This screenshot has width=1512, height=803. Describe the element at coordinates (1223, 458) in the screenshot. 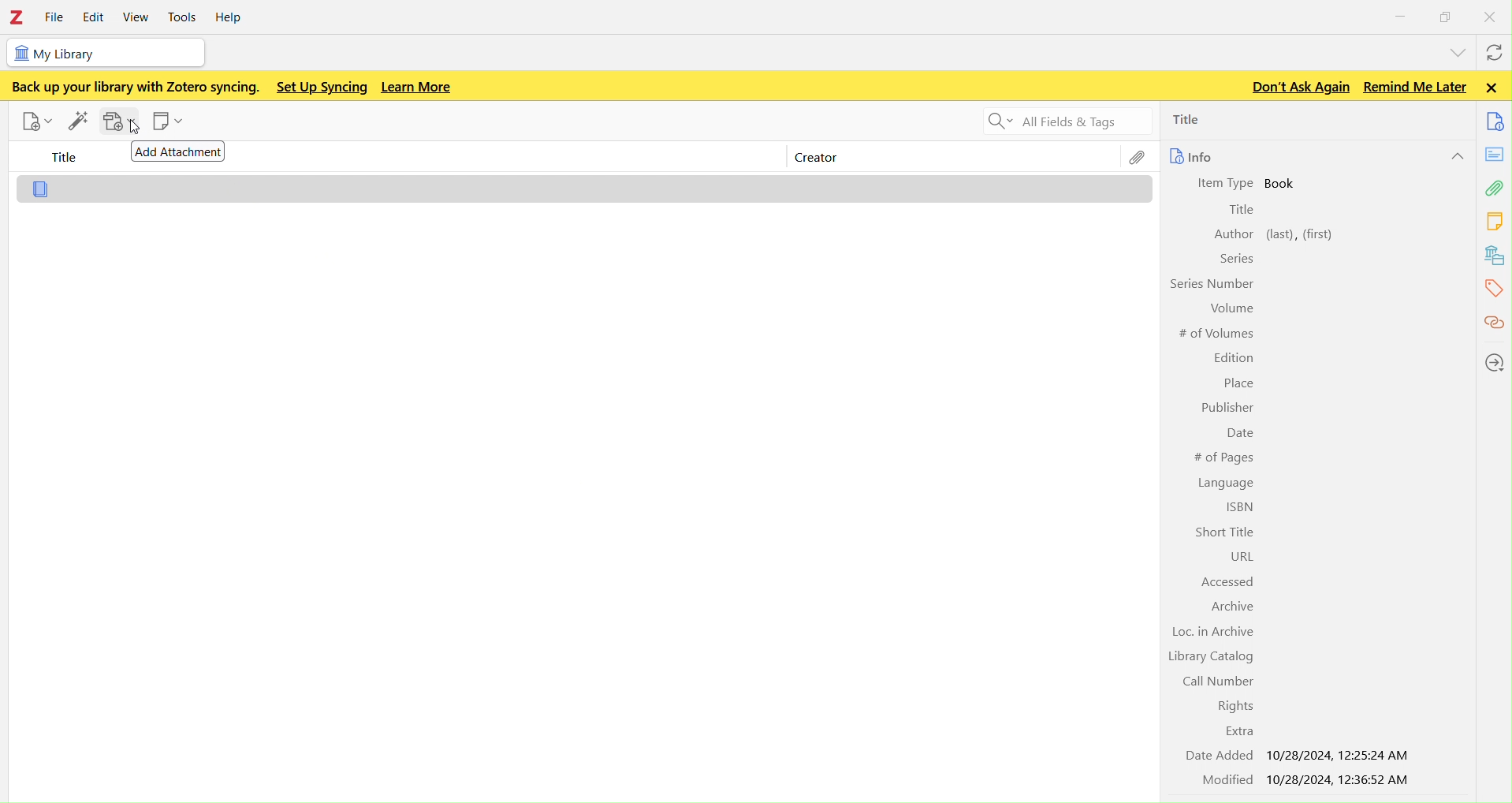

I see `# of Pages` at that location.